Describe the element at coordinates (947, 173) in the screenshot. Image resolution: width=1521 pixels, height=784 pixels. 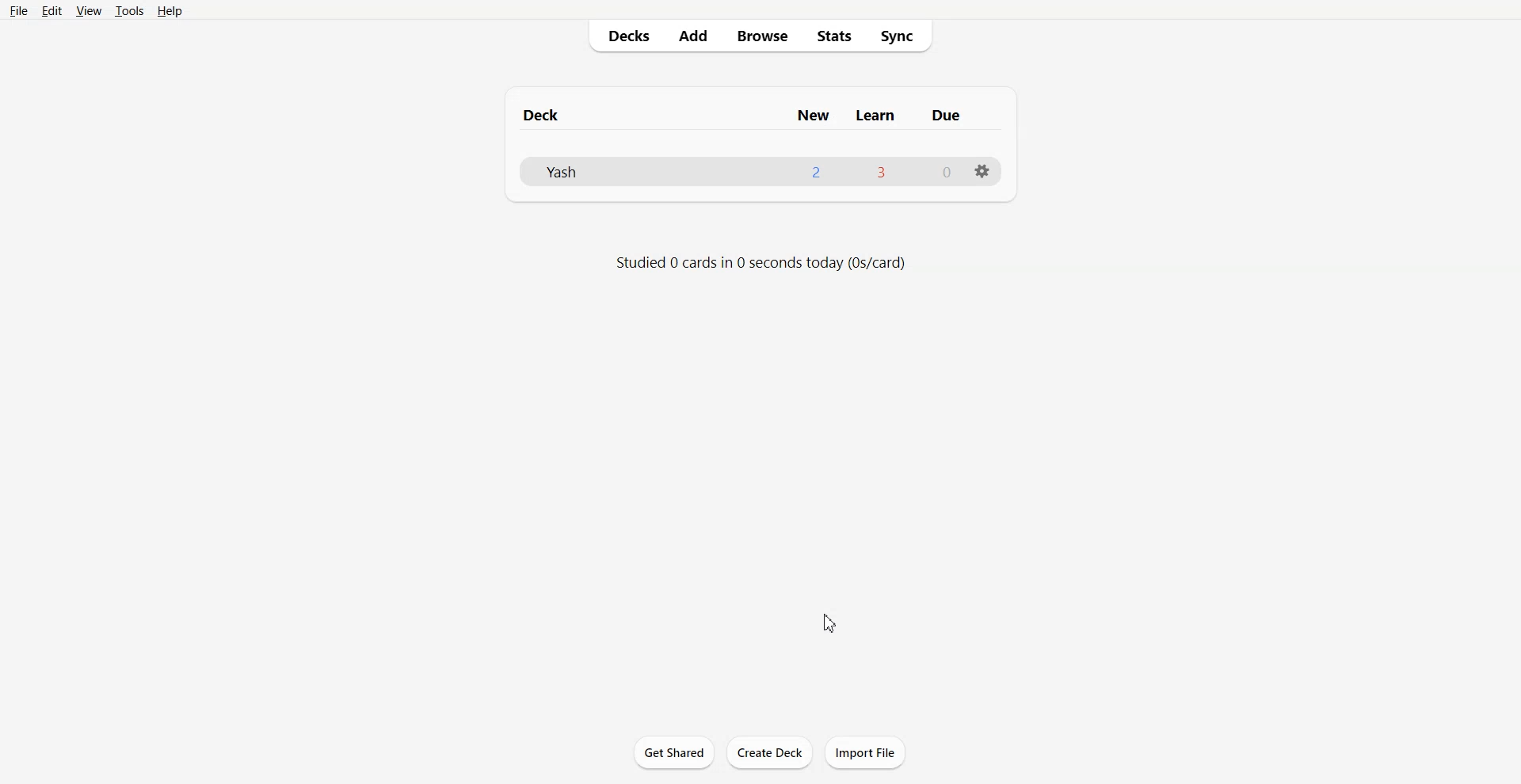
I see `0` at that location.